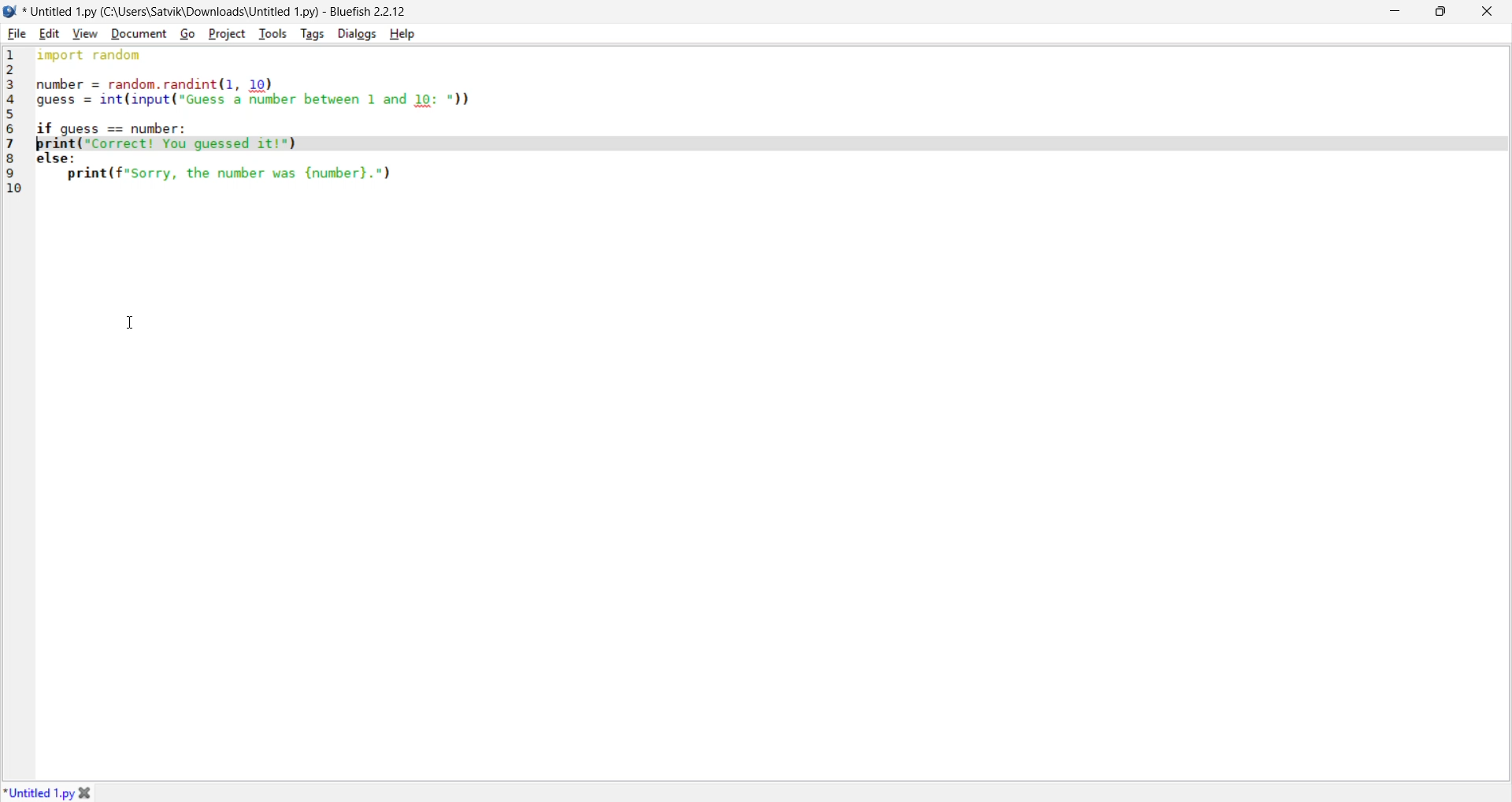  I want to click on close tab, so click(88, 790).